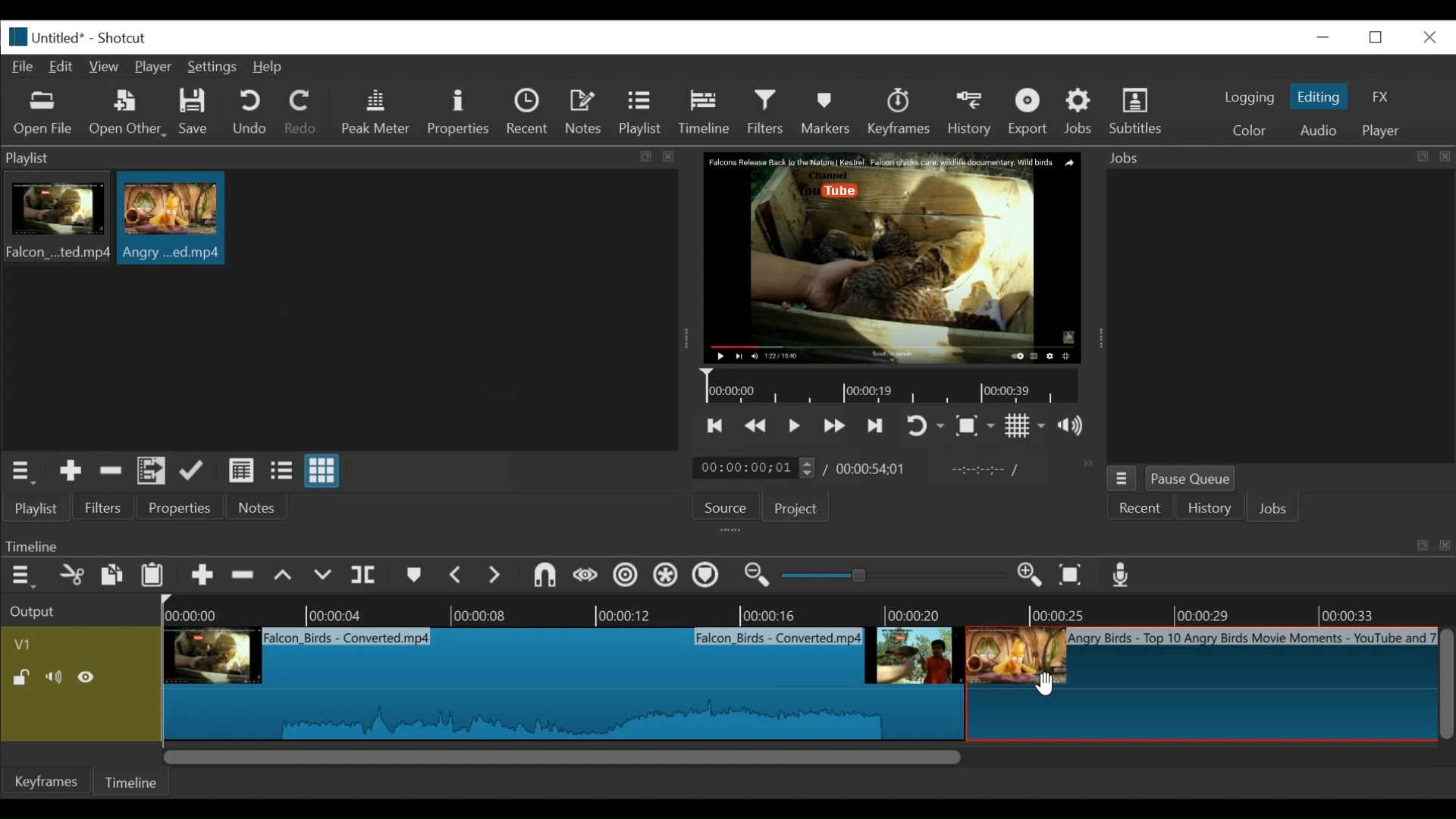  Describe the element at coordinates (378, 112) in the screenshot. I see `Peak Meter` at that location.